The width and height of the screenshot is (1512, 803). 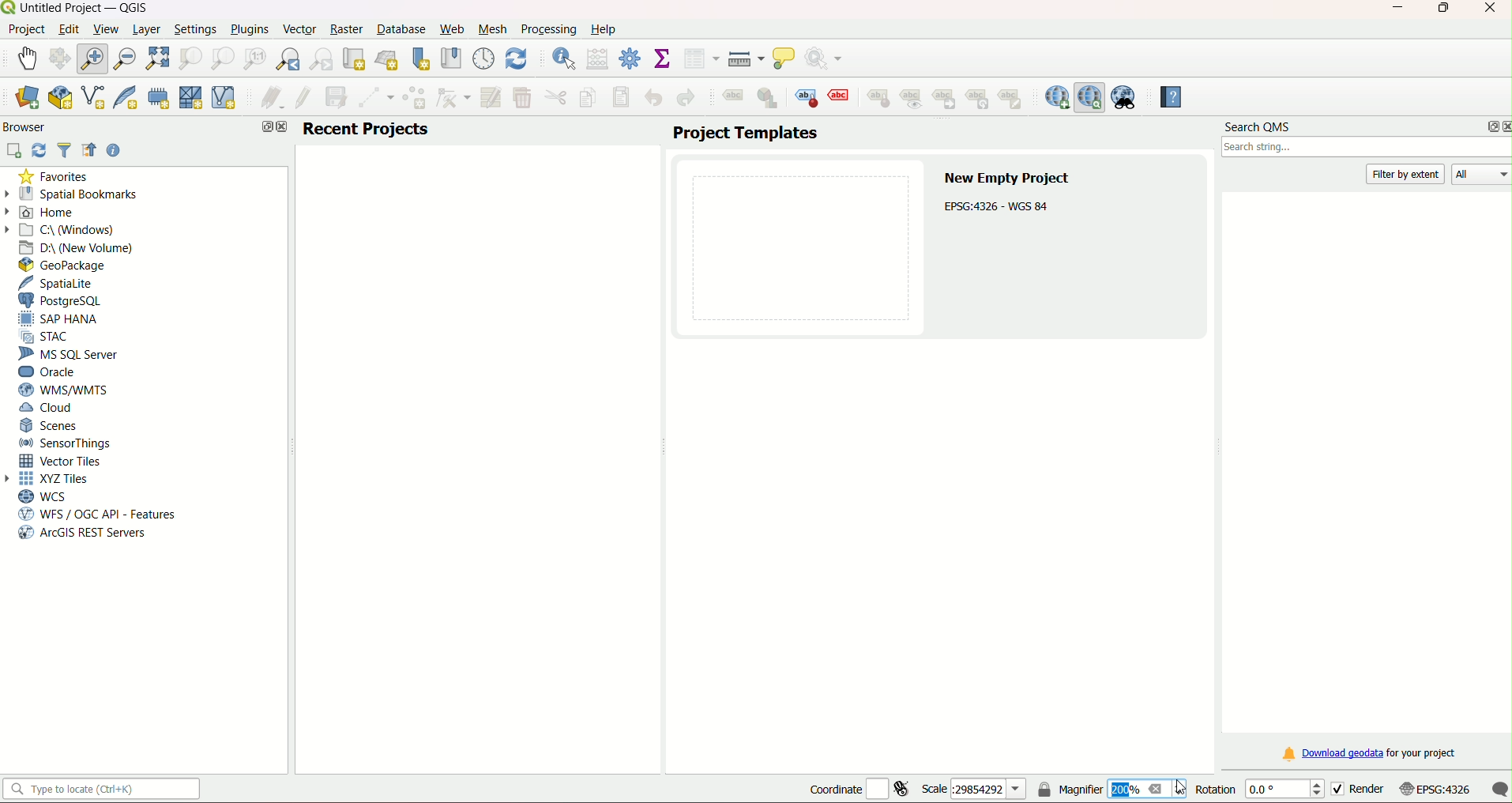 I want to click on rotation, so click(x=1258, y=790).